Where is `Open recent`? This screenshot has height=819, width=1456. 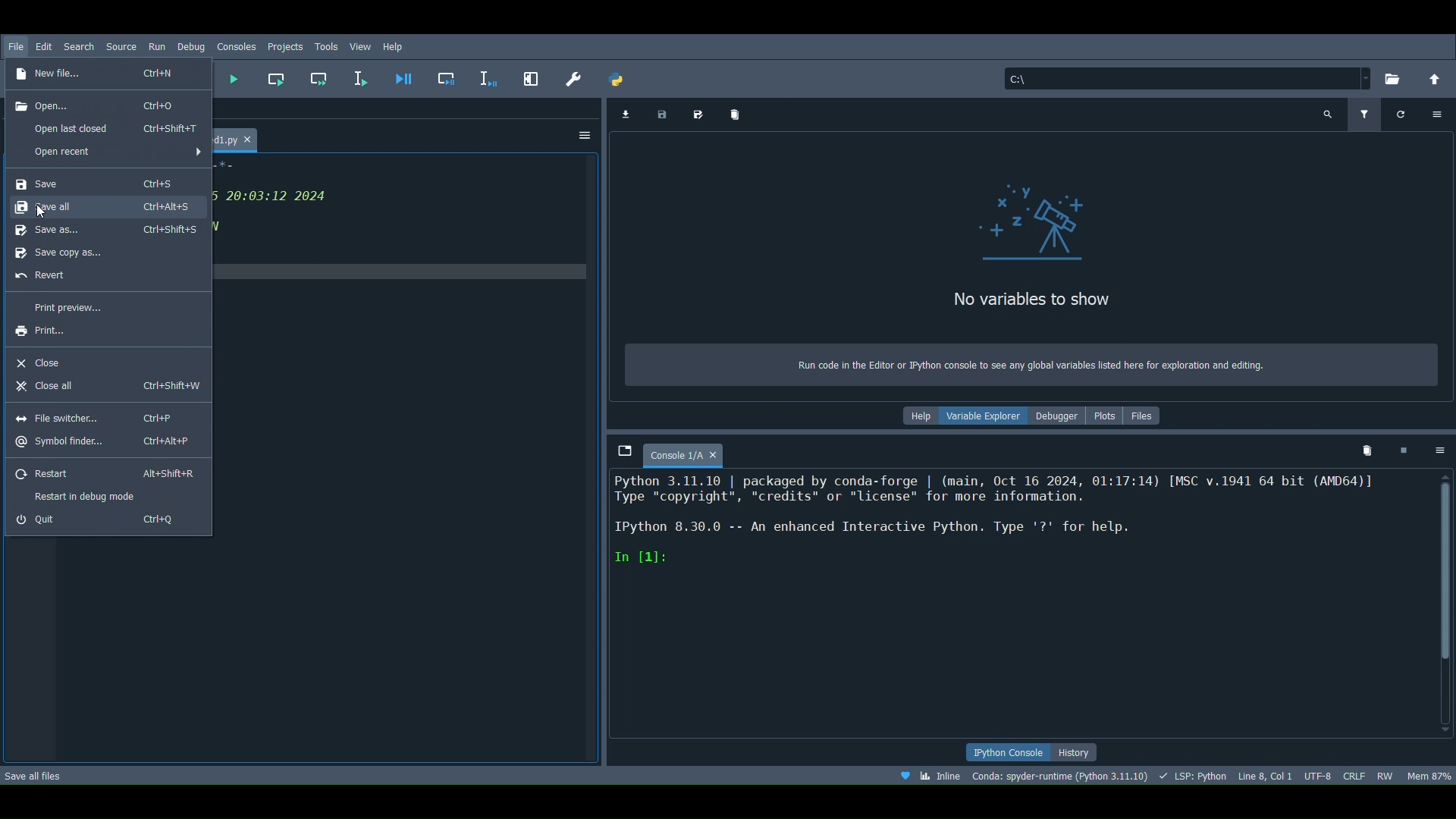
Open recent is located at coordinates (108, 153).